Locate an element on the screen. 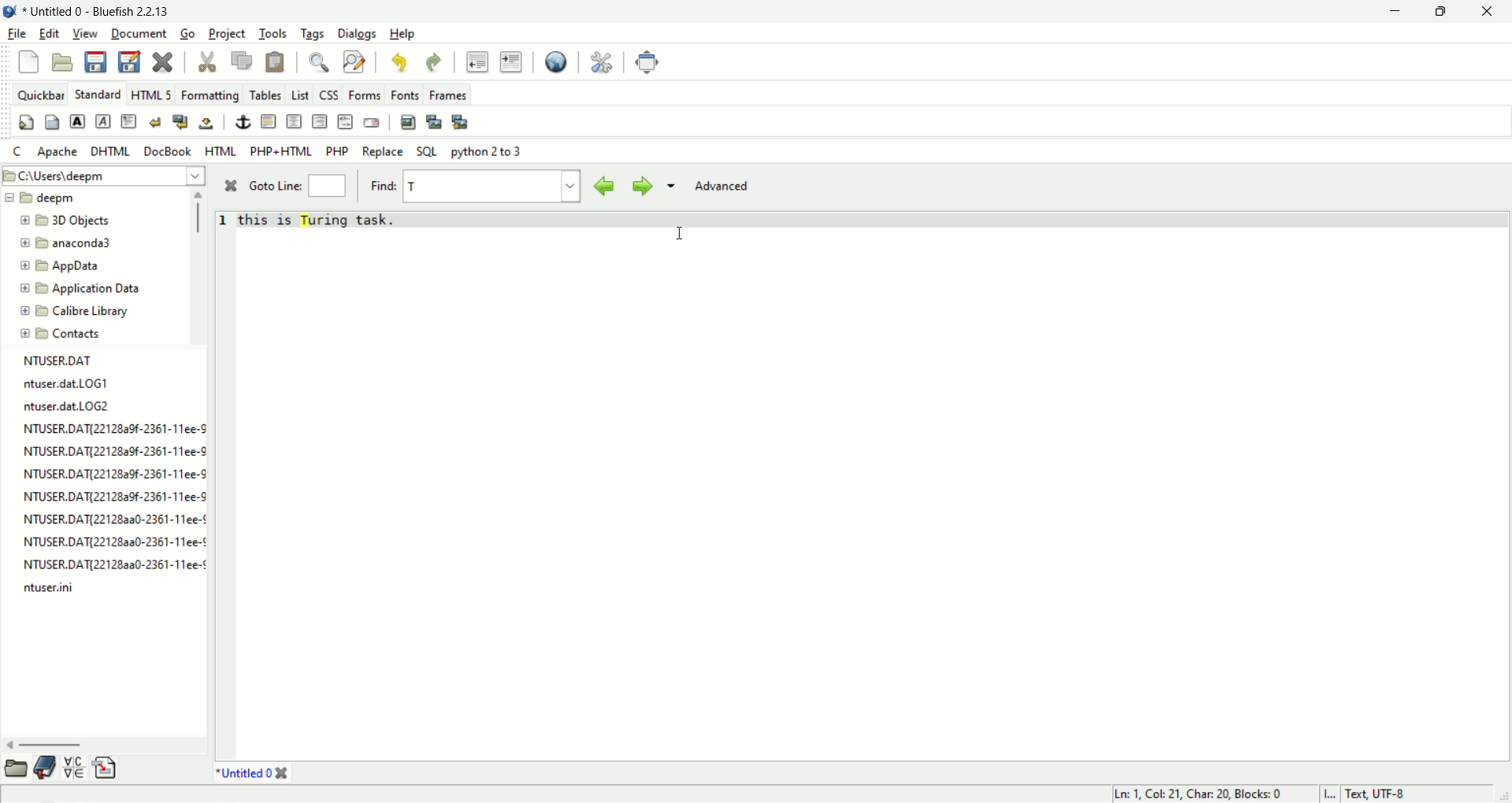 This screenshot has height=803, width=1512. document name is located at coordinates (106, 9).